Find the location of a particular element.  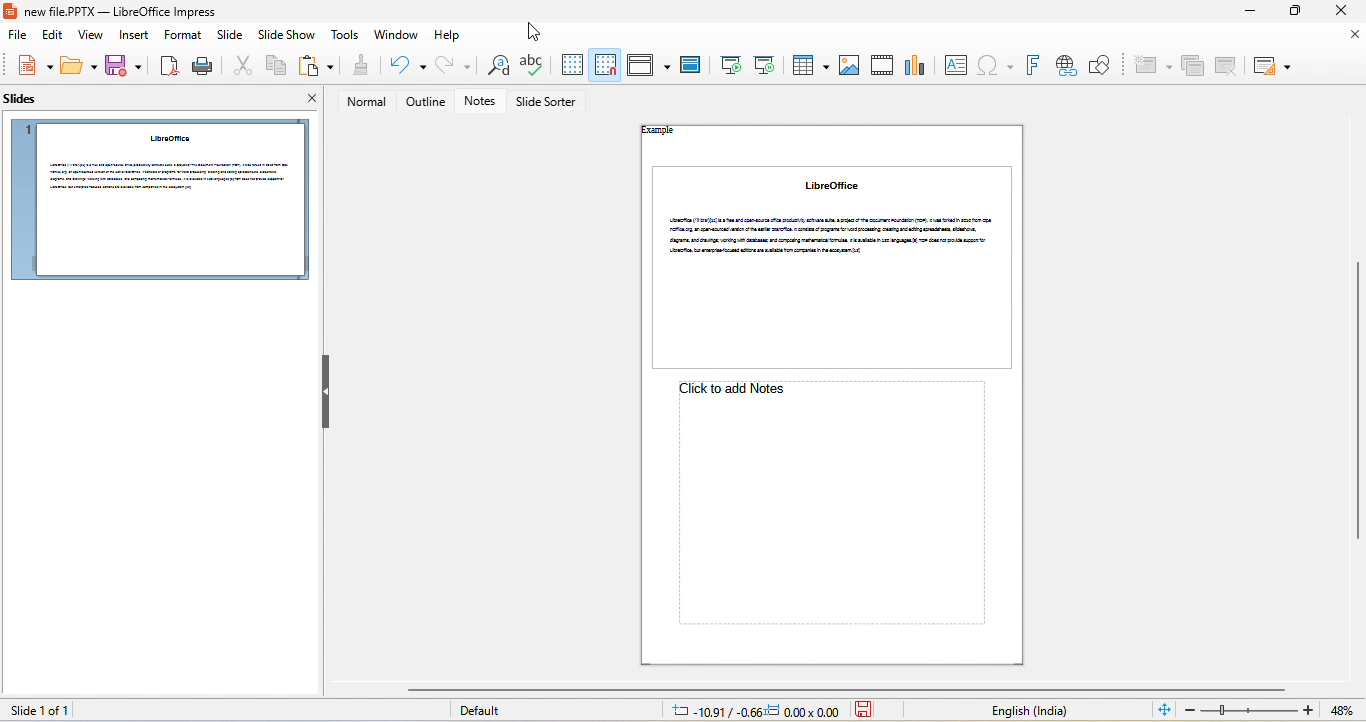

print is located at coordinates (201, 66).